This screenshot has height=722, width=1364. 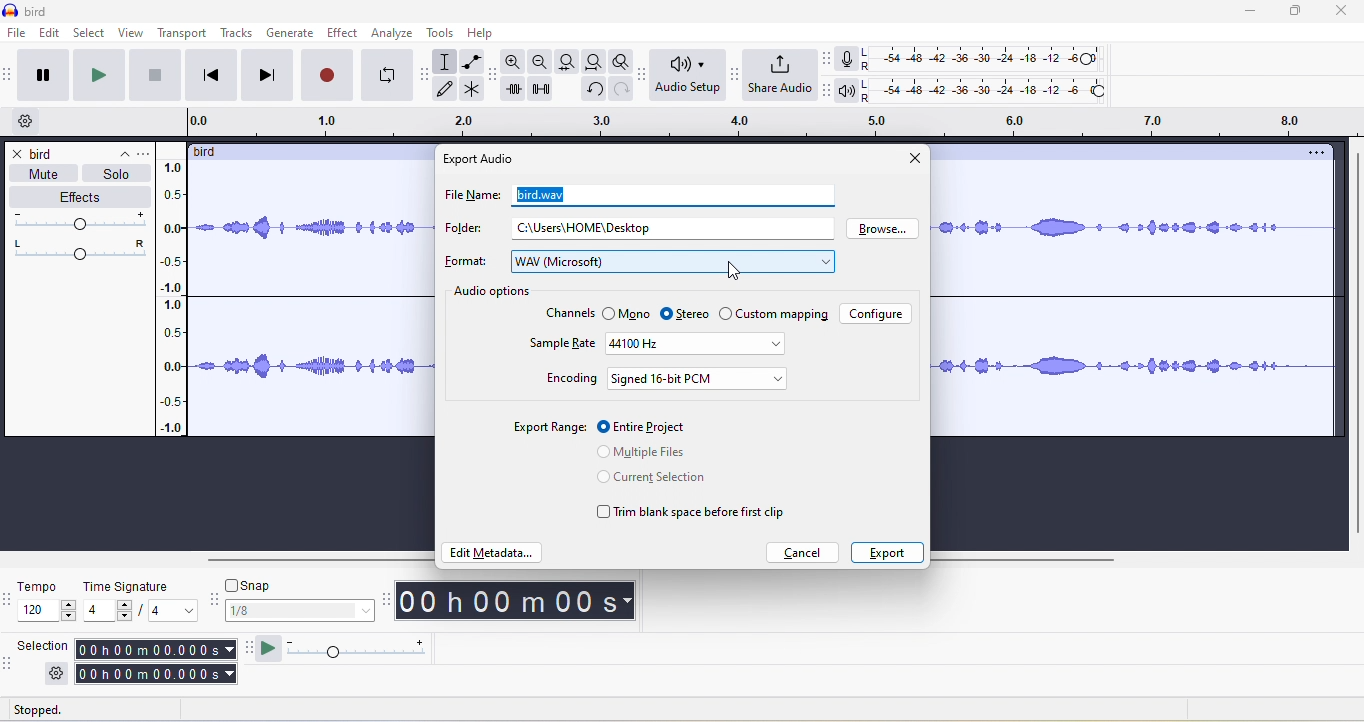 I want to click on filename, so click(x=538, y=193).